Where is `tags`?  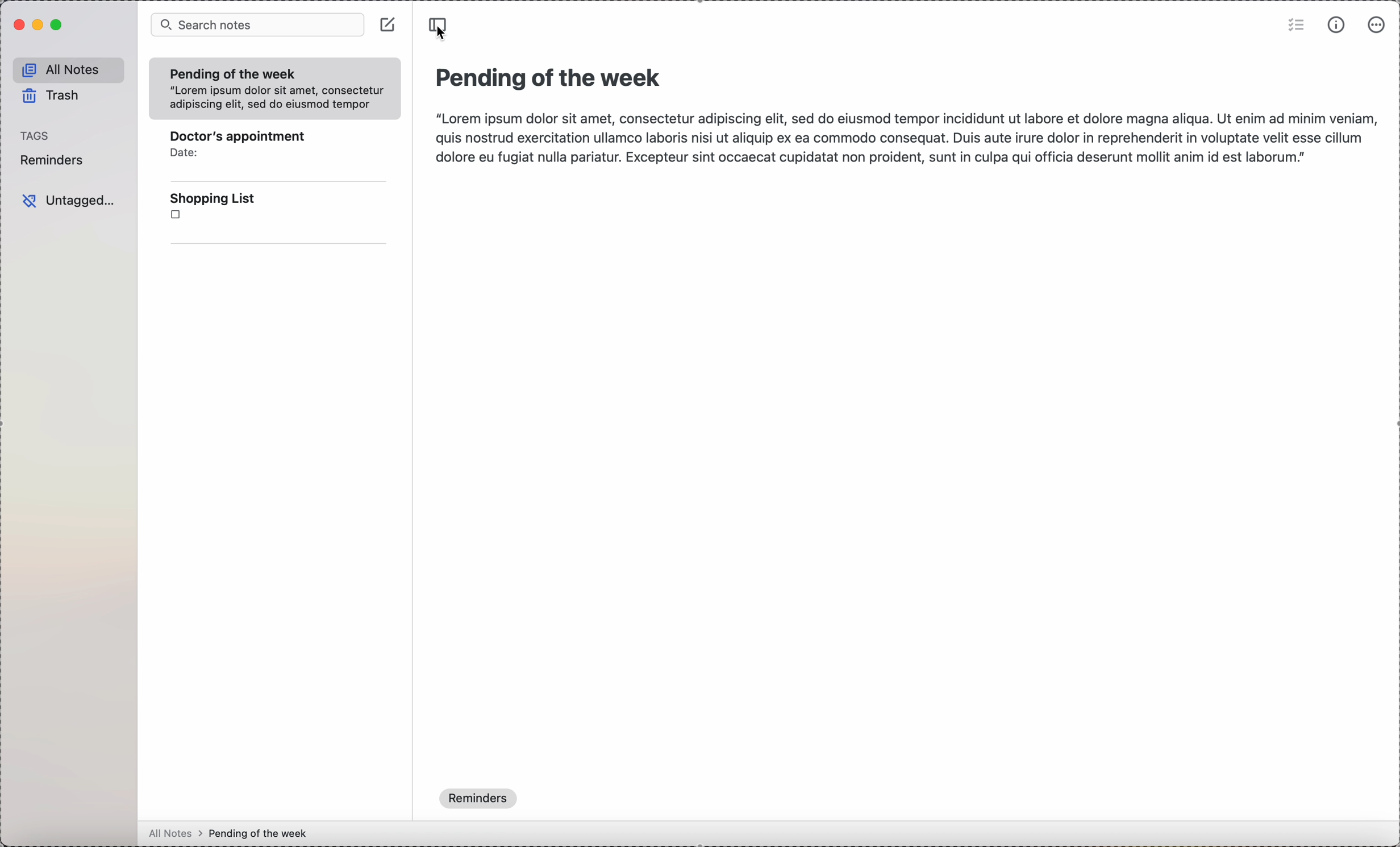 tags is located at coordinates (35, 134).